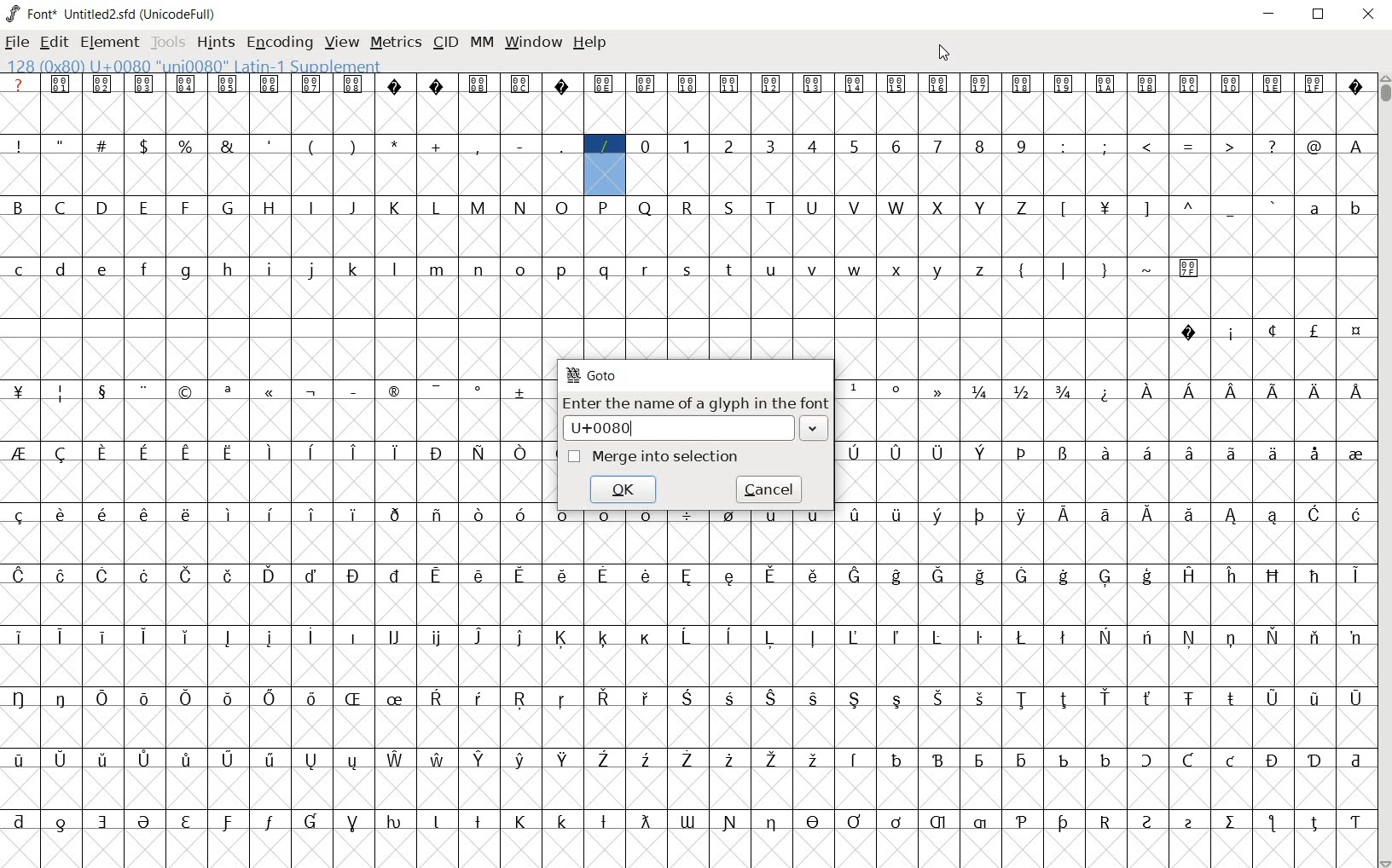  Describe the element at coordinates (185, 146) in the screenshot. I see `glyph` at that location.